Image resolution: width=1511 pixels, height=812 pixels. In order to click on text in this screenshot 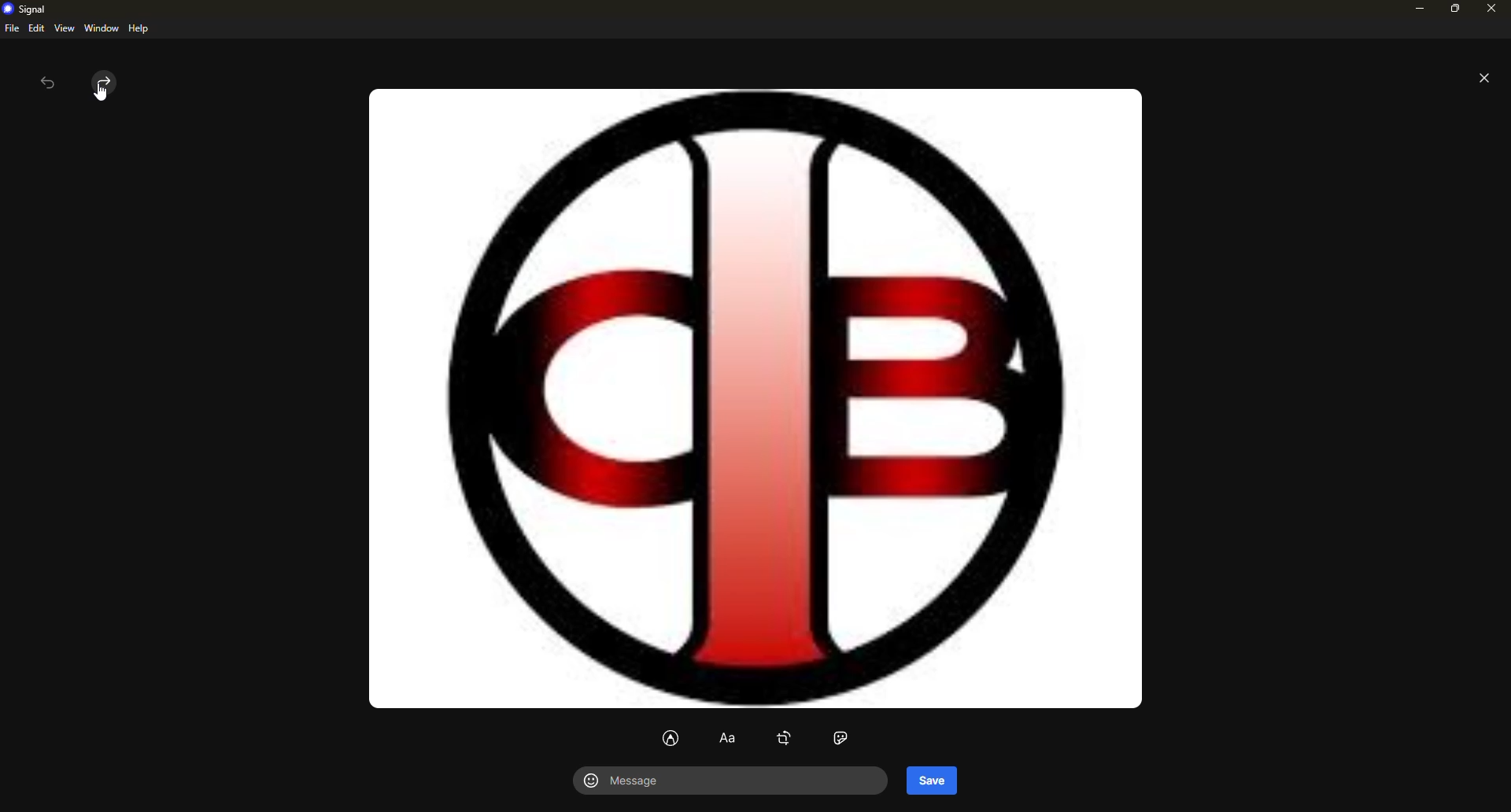, I will do `click(729, 740)`.